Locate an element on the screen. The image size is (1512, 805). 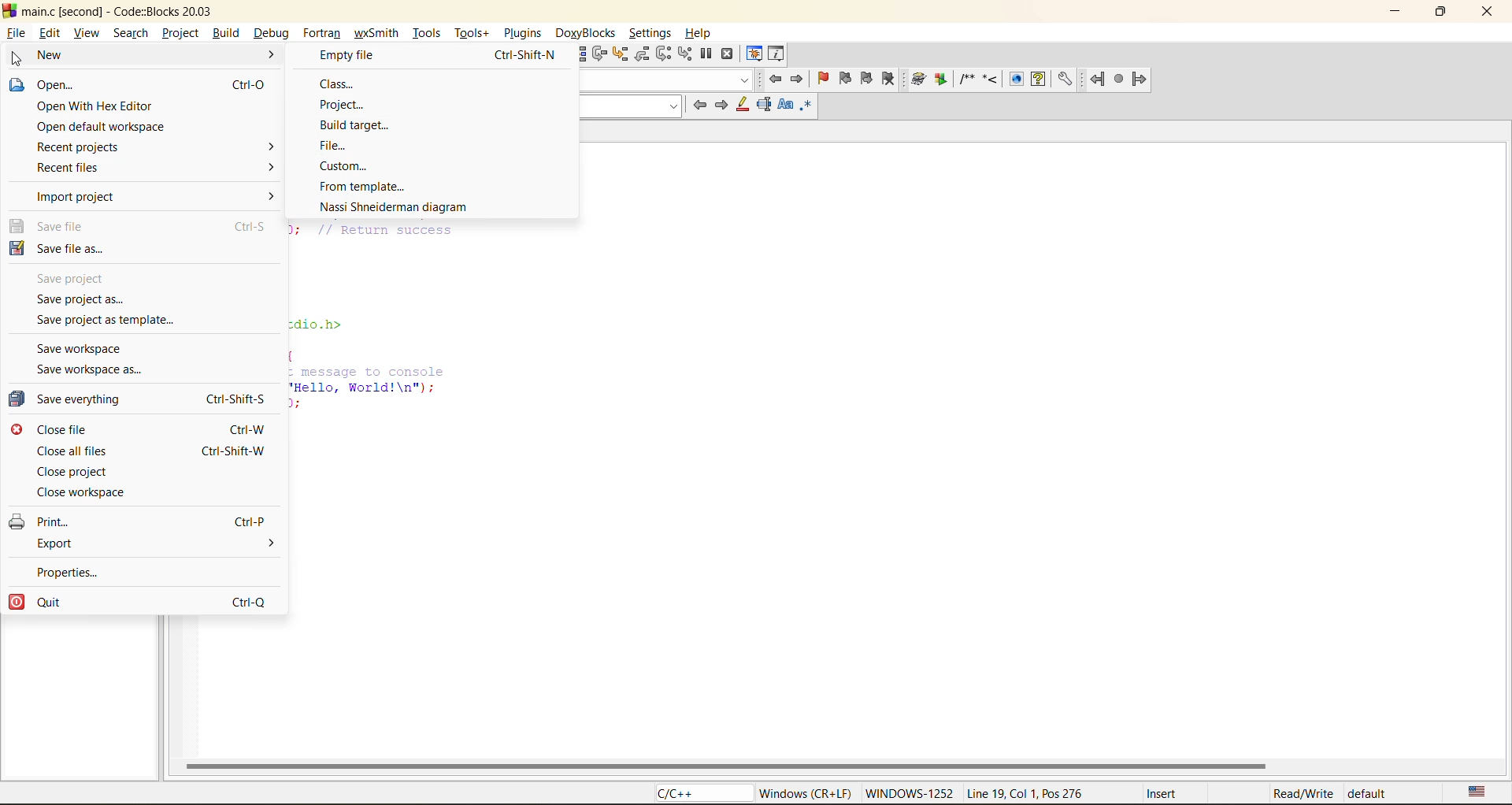
close project is located at coordinates (78, 470).